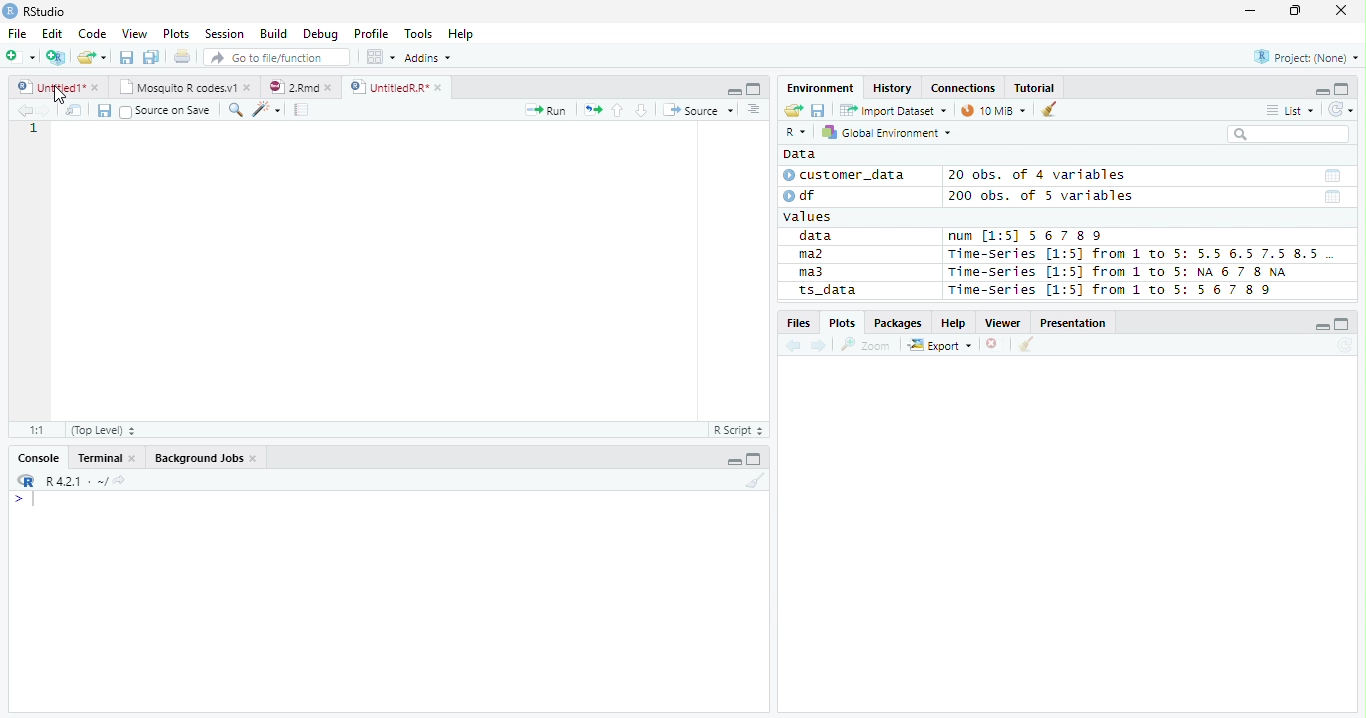 The image size is (1366, 718). What do you see at coordinates (93, 56) in the screenshot?
I see `Open Folder` at bounding box center [93, 56].